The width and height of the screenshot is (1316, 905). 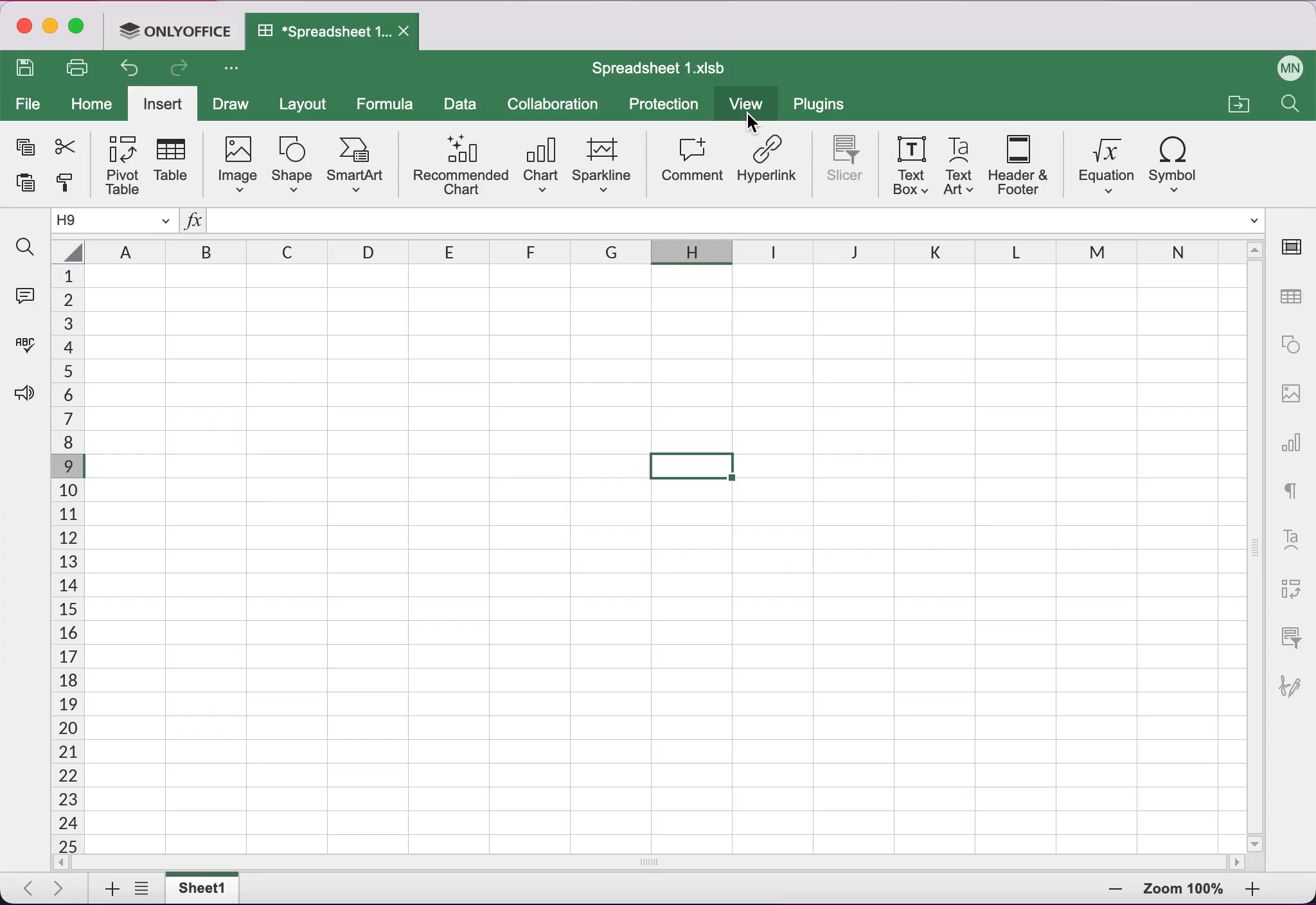 What do you see at coordinates (1295, 584) in the screenshot?
I see `pivot table` at bounding box center [1295, 584].